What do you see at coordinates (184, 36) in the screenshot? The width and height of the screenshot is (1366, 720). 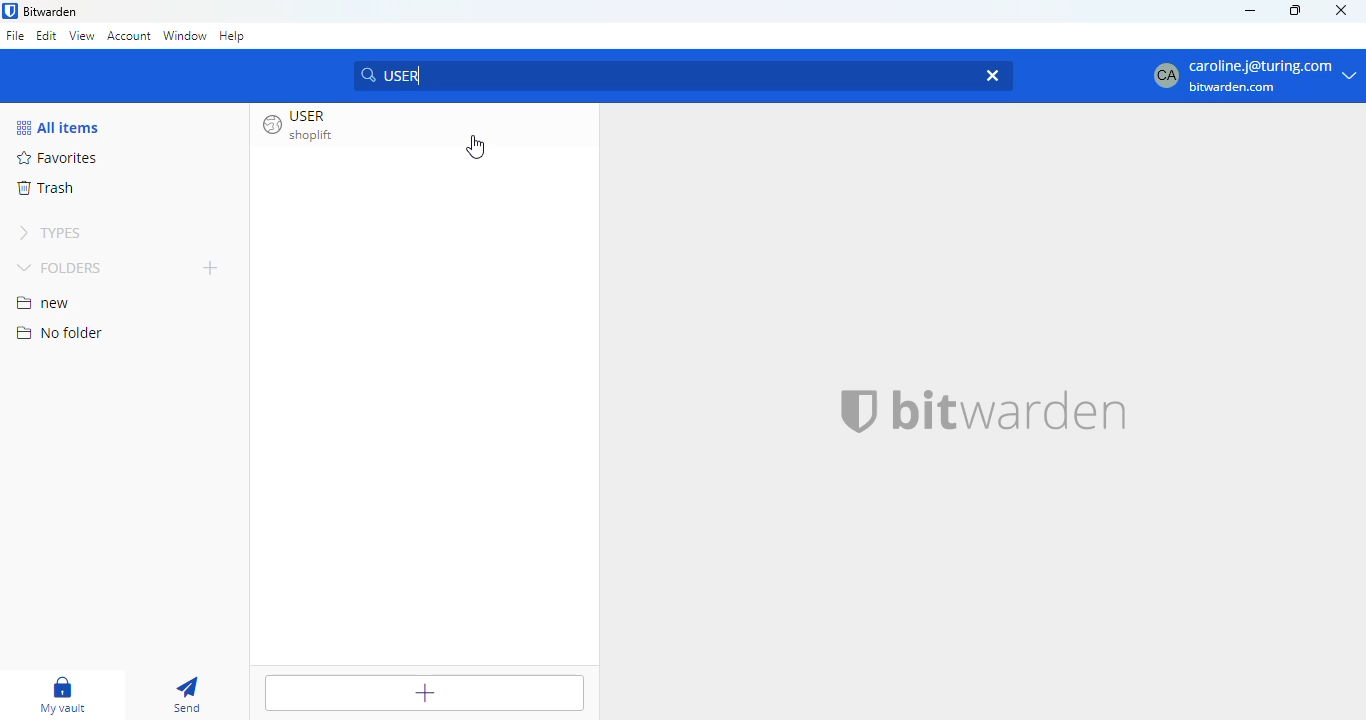 I see `window` at bounding box center [184, 36].